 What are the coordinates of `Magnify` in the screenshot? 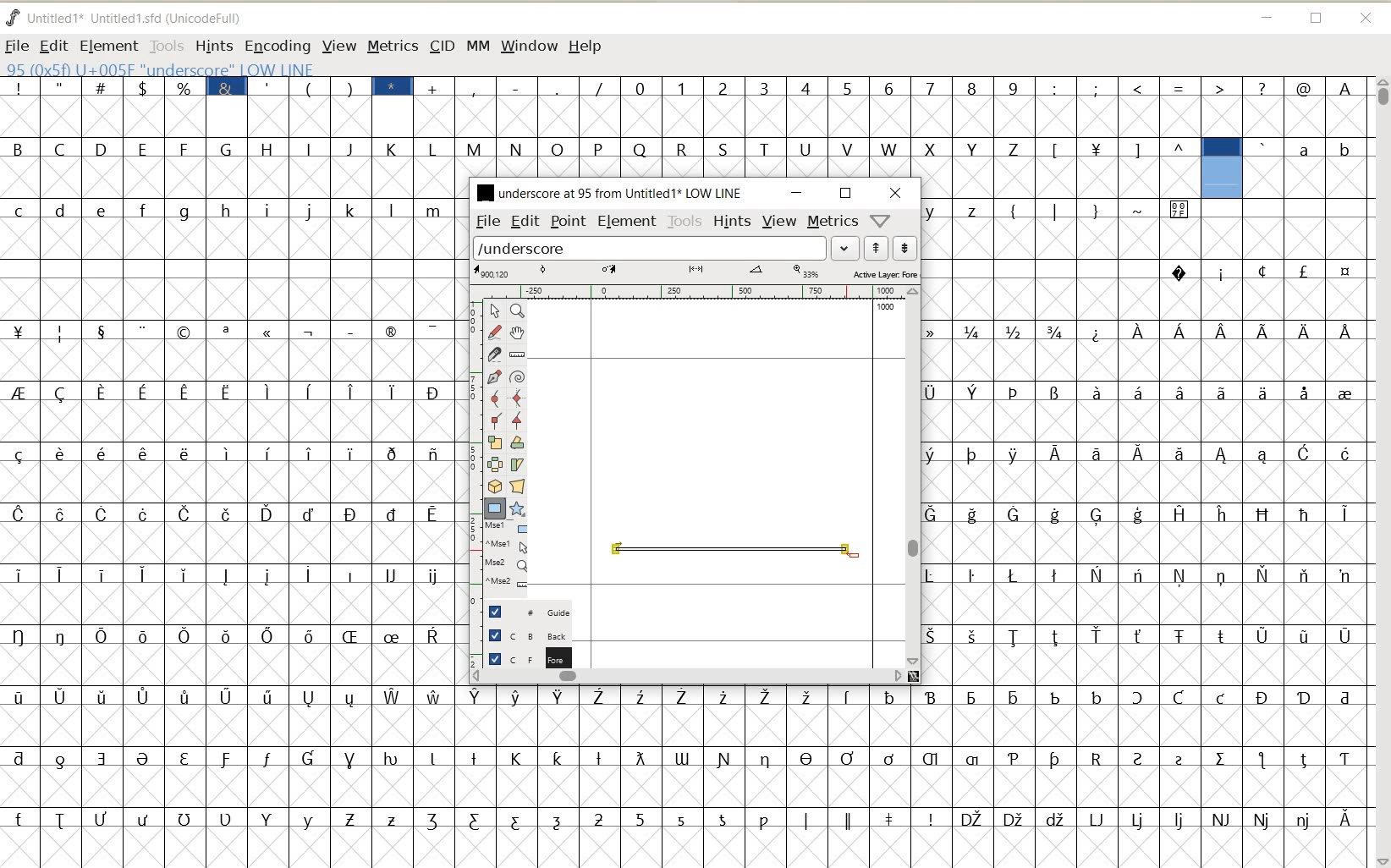 It's located at (516, 310).